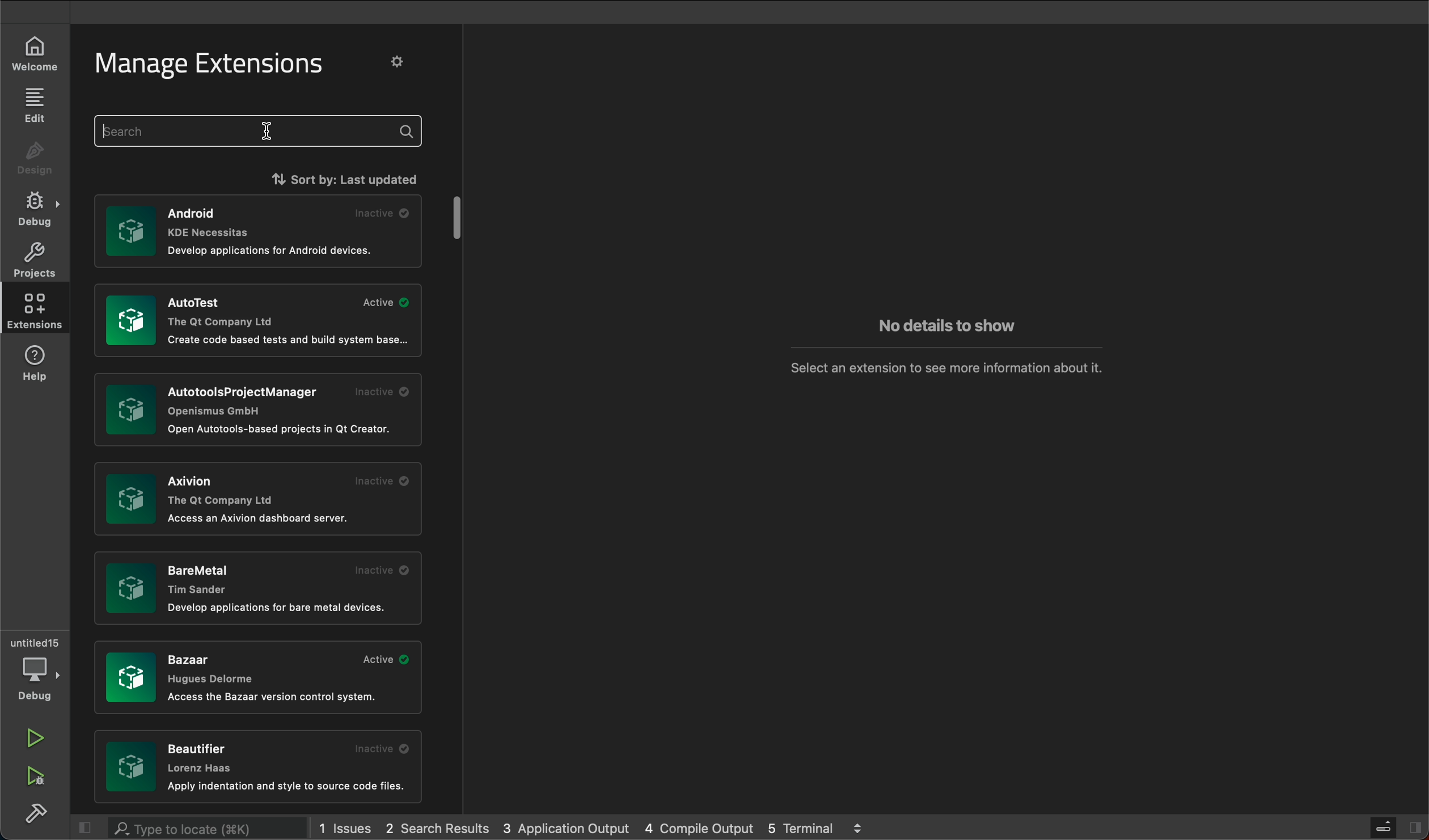 Image resolution: width=1429 pixels, height=840 pixels. What do you see at coordinates (38, 209) in the screenshot?
I see `debug` at bounding box center [38, 209].